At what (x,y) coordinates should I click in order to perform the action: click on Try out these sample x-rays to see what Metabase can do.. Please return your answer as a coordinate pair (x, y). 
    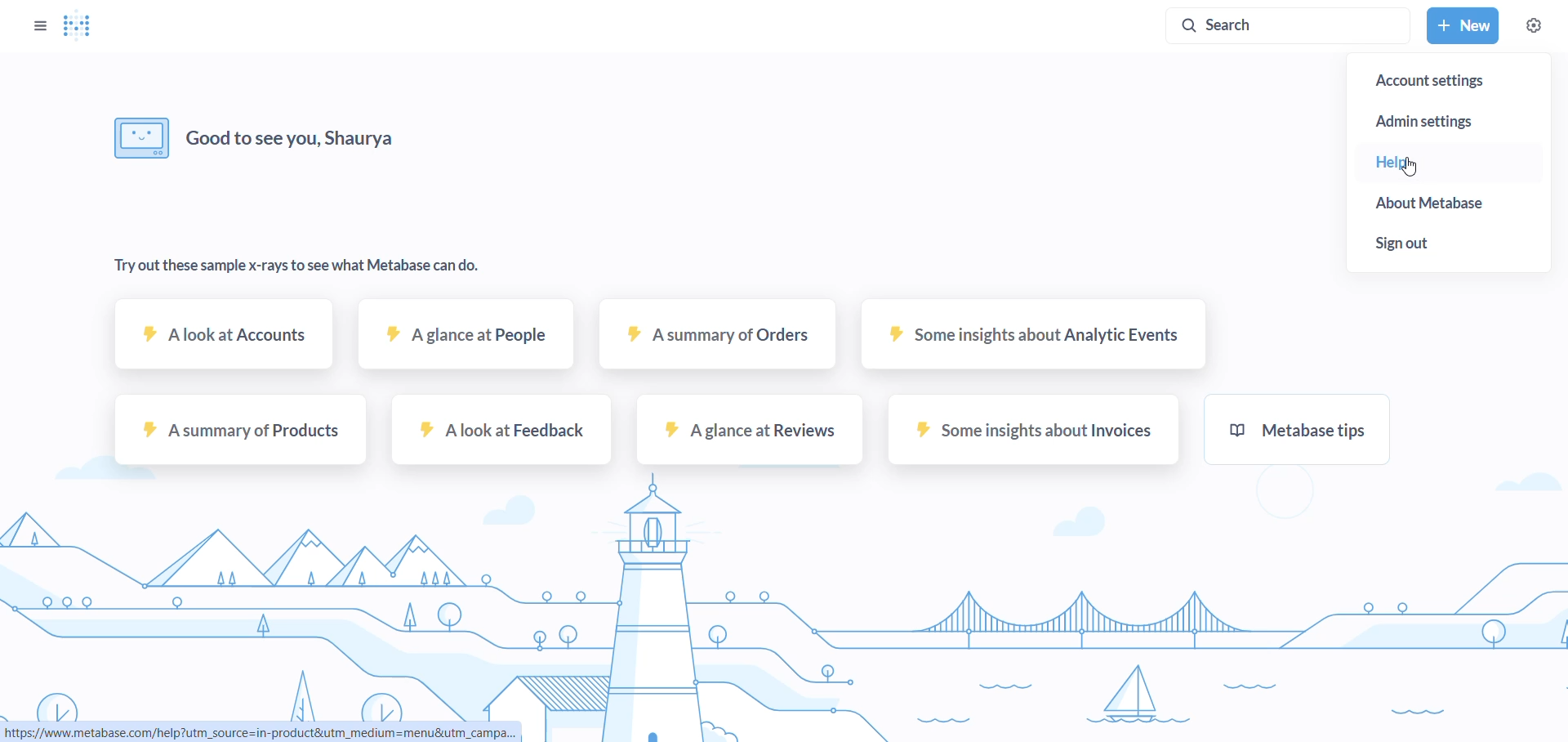
    Looking at the image, I should click on (300, 265).